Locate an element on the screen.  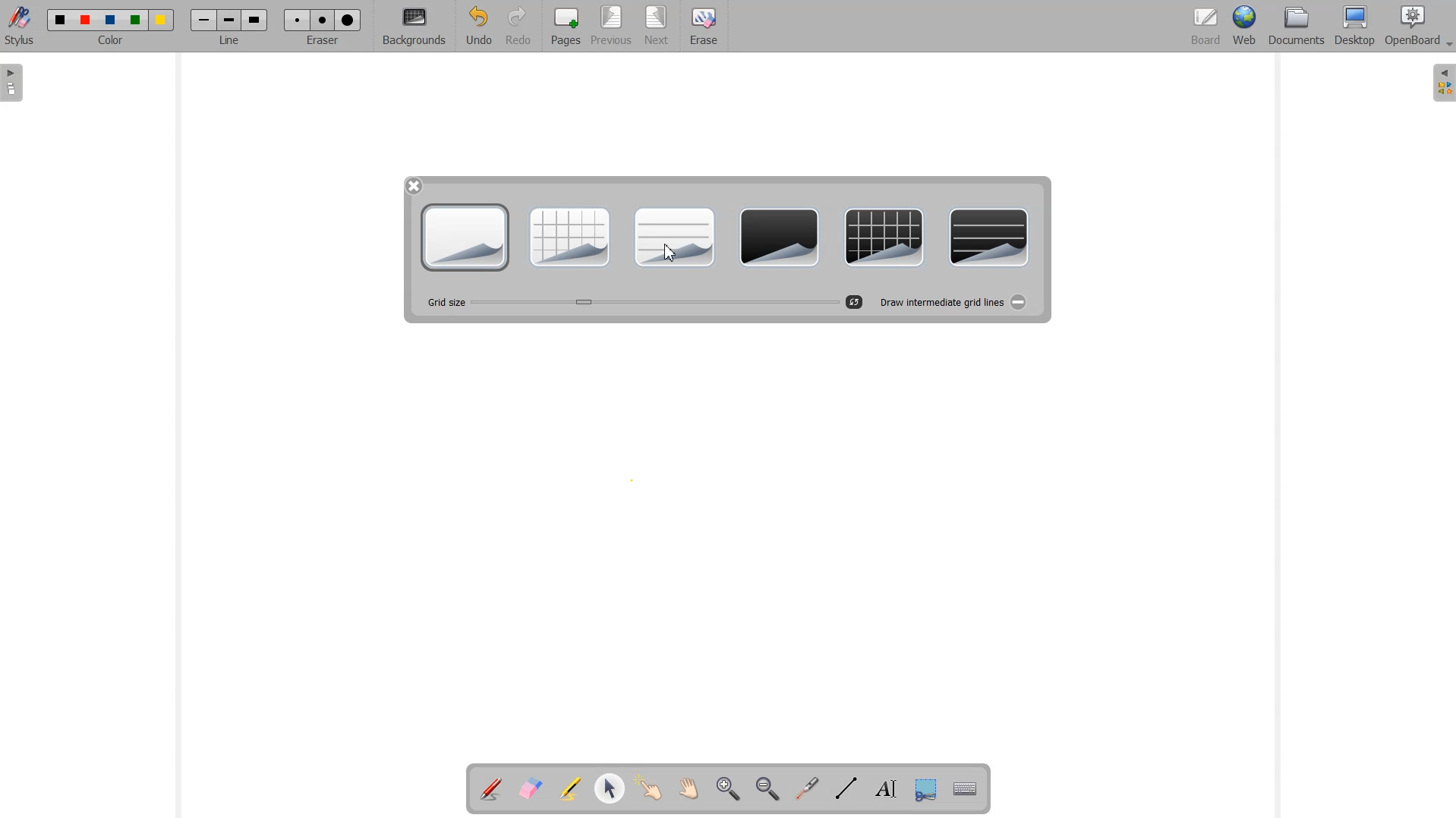
Plain Light Backgrounds is located at coordinates (465, 238).